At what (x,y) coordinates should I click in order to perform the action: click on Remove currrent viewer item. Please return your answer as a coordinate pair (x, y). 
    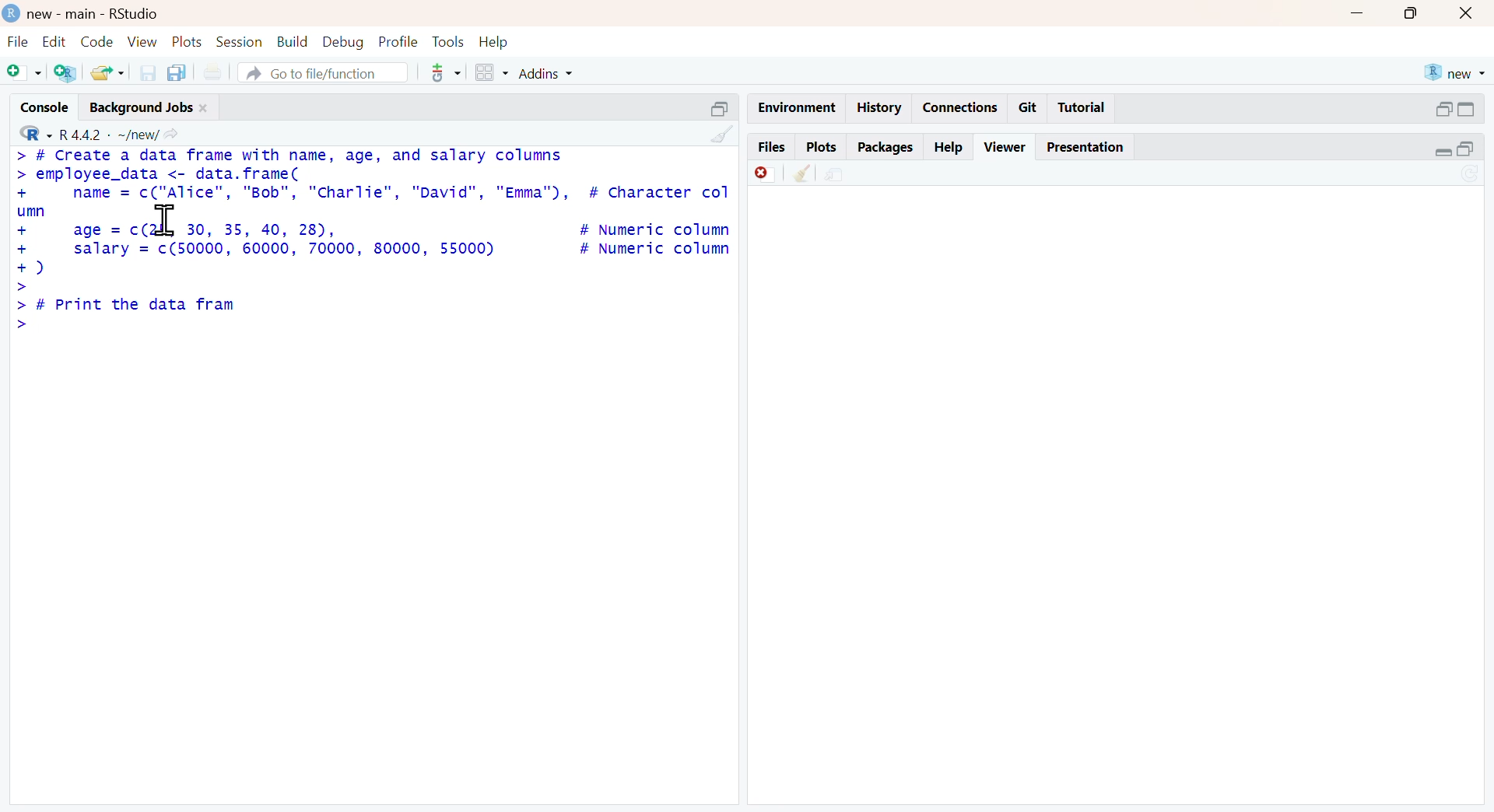
    Looking at the image, I should click on (760, 178).